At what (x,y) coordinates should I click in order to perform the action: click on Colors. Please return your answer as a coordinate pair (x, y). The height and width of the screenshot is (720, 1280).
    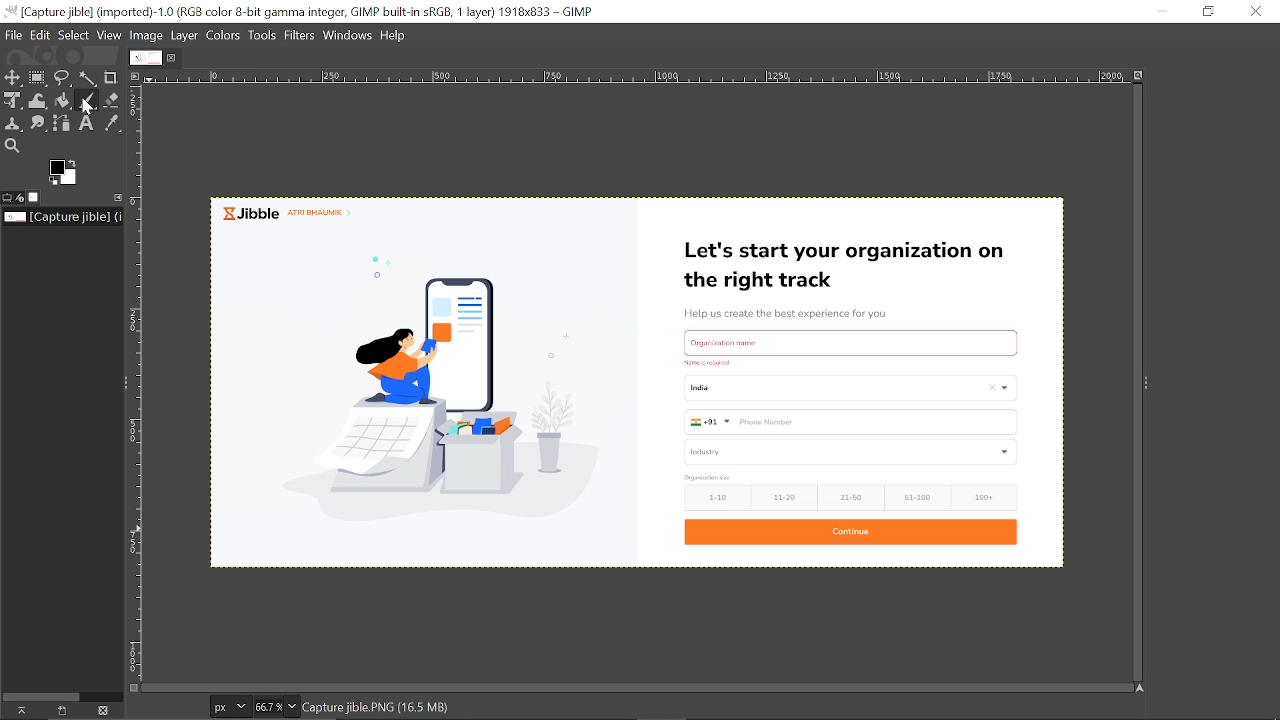
    Looking at the image, I should click on (225, 36).